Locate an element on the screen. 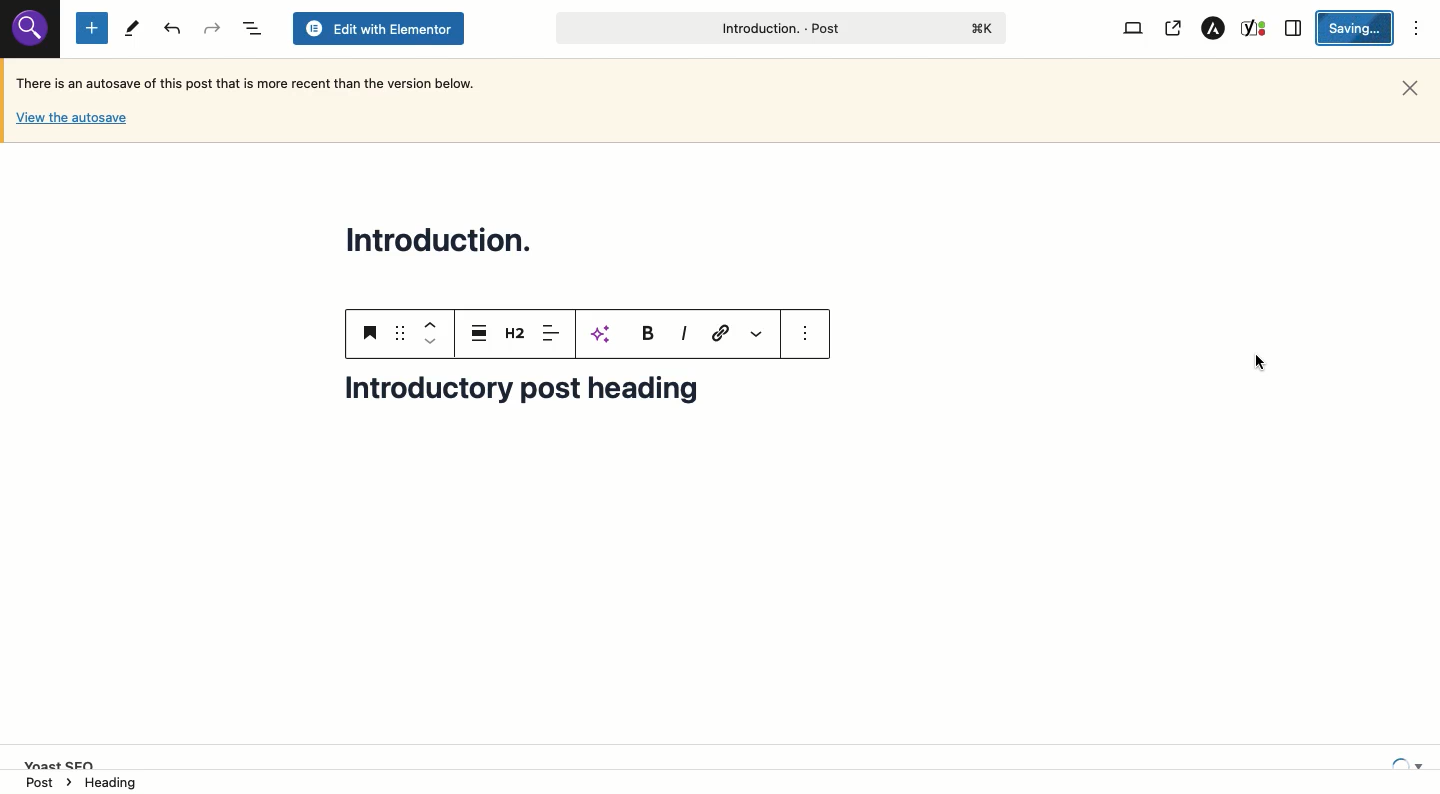 This screenshot has height=794, width=1440. AI is located at coordinates (604, 334).